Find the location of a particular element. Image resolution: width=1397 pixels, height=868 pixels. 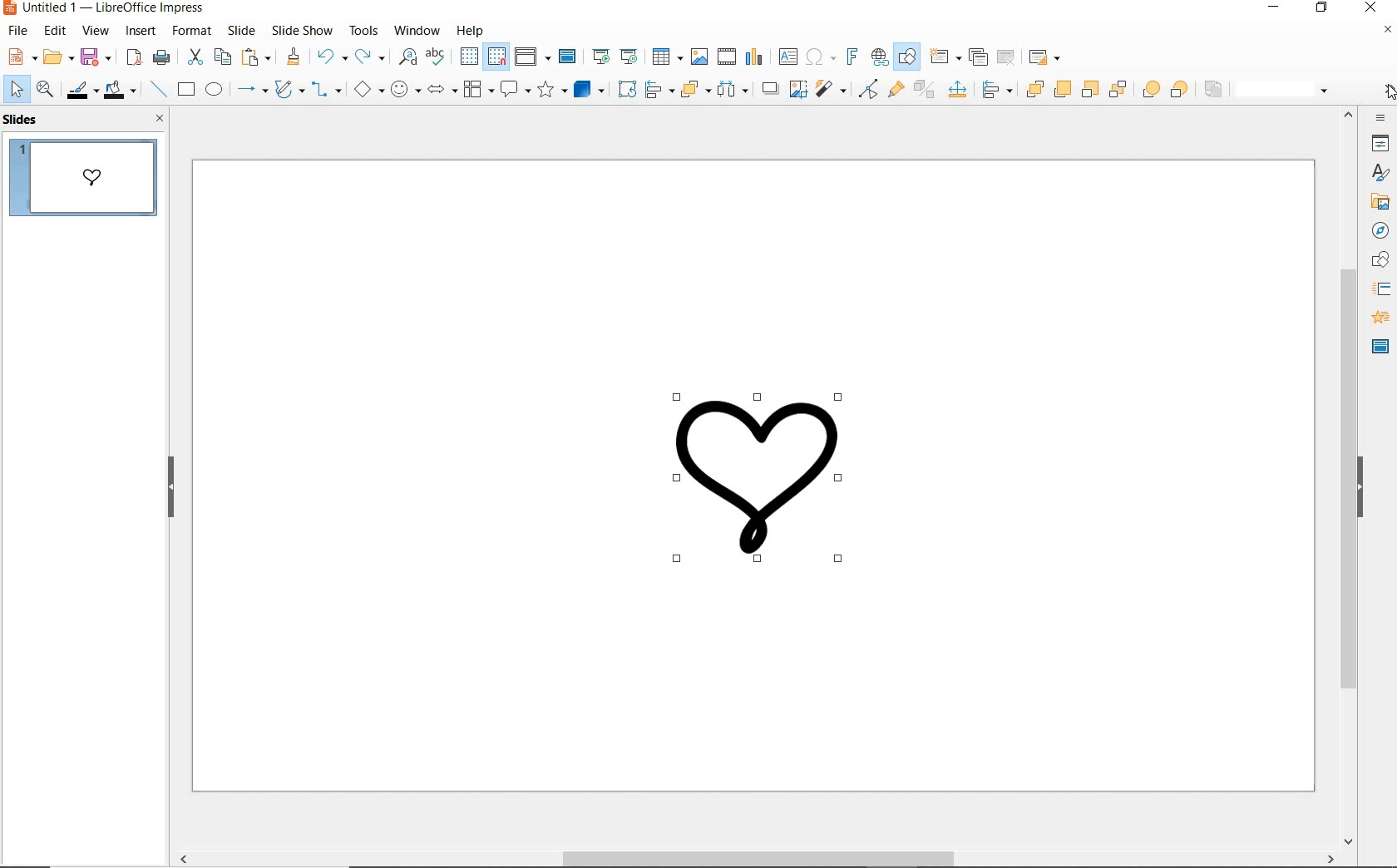

find and replace is located at coordinates (408, 58).